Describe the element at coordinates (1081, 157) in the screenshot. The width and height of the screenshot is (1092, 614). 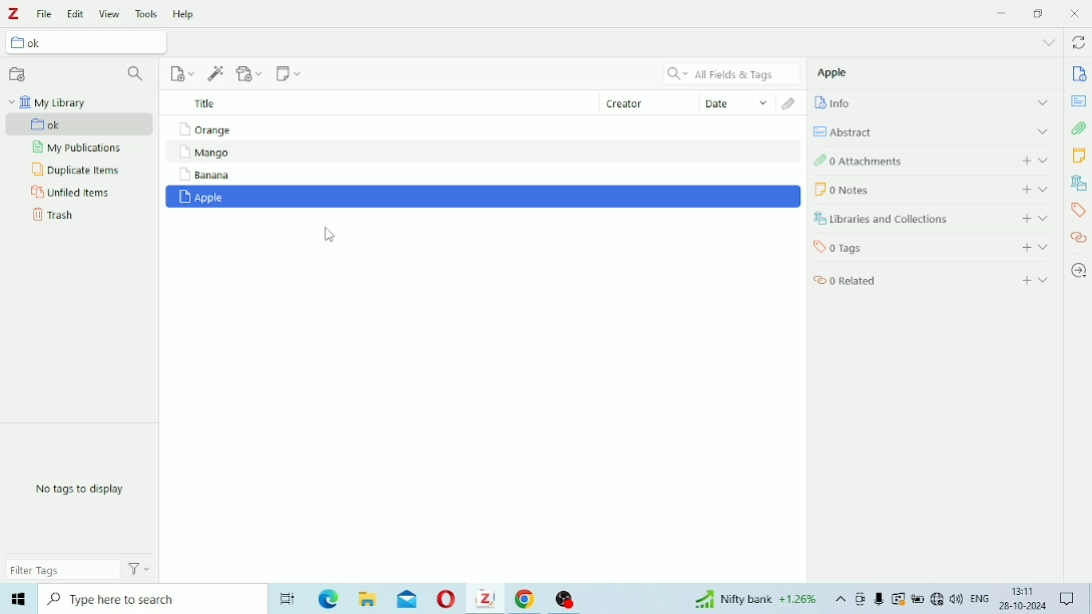
I see `Notes` at that location.